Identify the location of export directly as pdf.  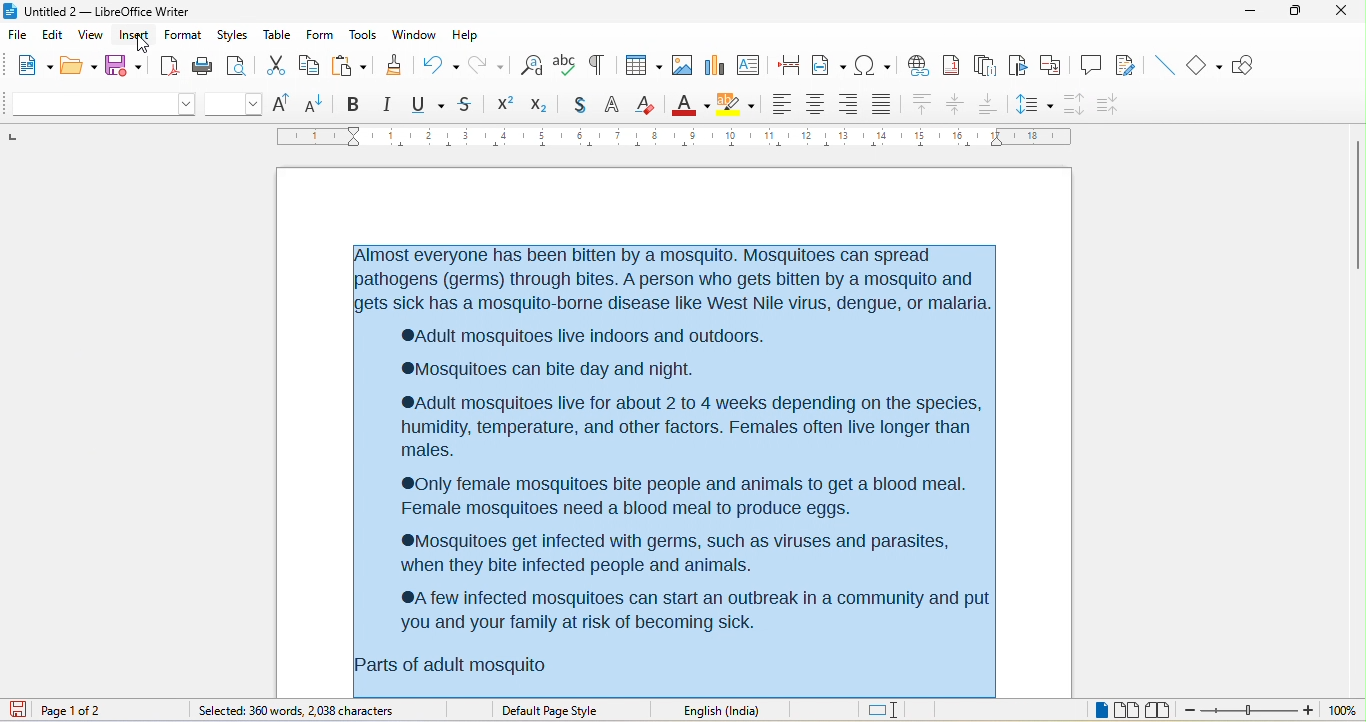
(165, 65).